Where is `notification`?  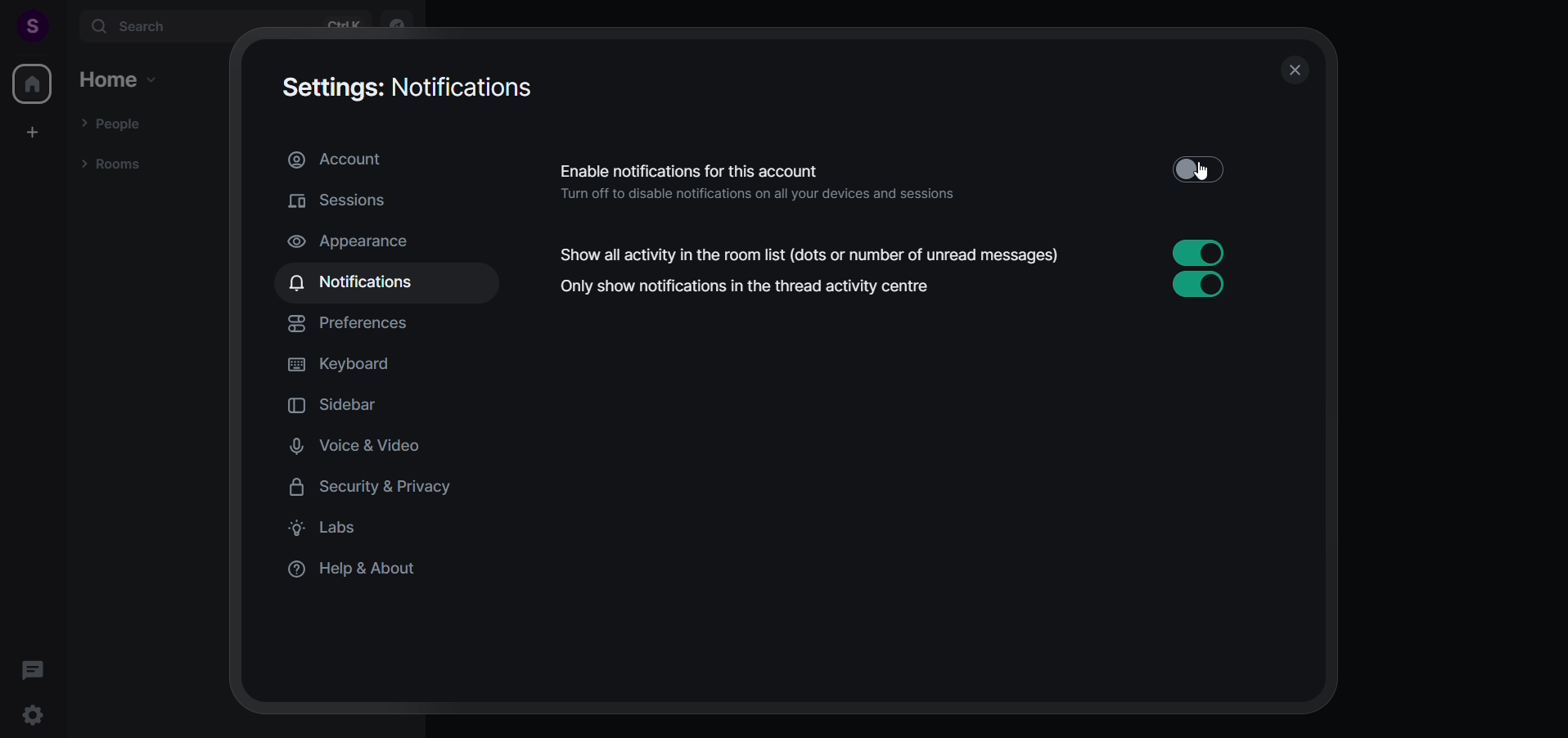
notification is located at coordinates (358, 282).